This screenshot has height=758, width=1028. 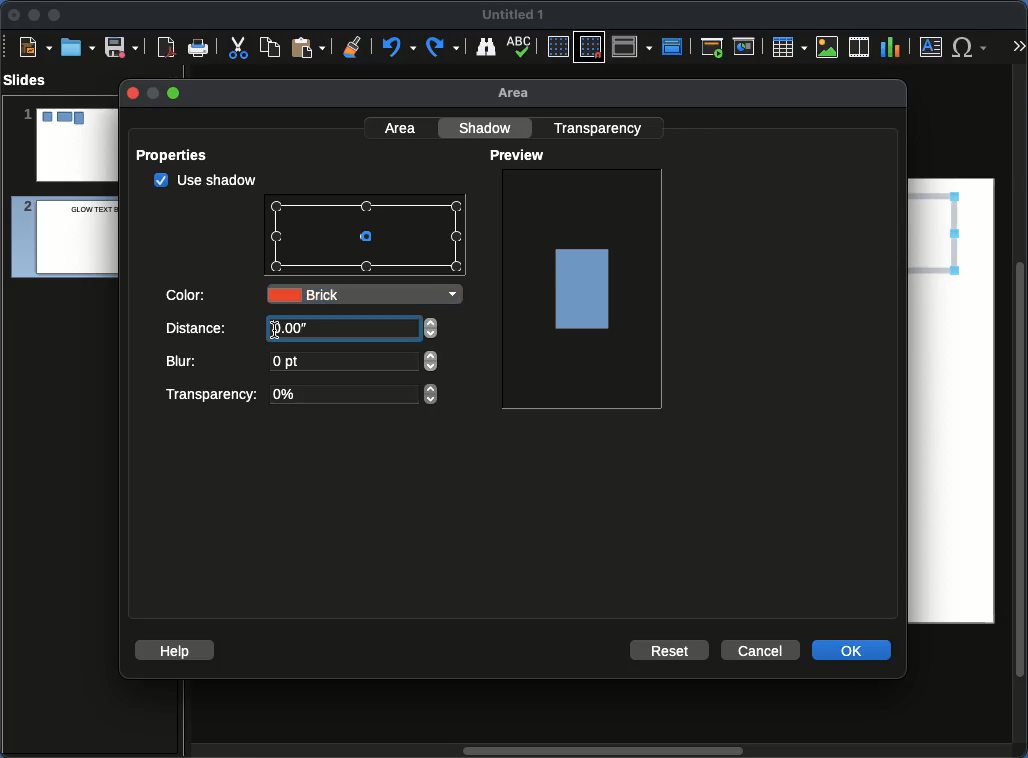 I want to click on More, so click(x=1018, y=48).